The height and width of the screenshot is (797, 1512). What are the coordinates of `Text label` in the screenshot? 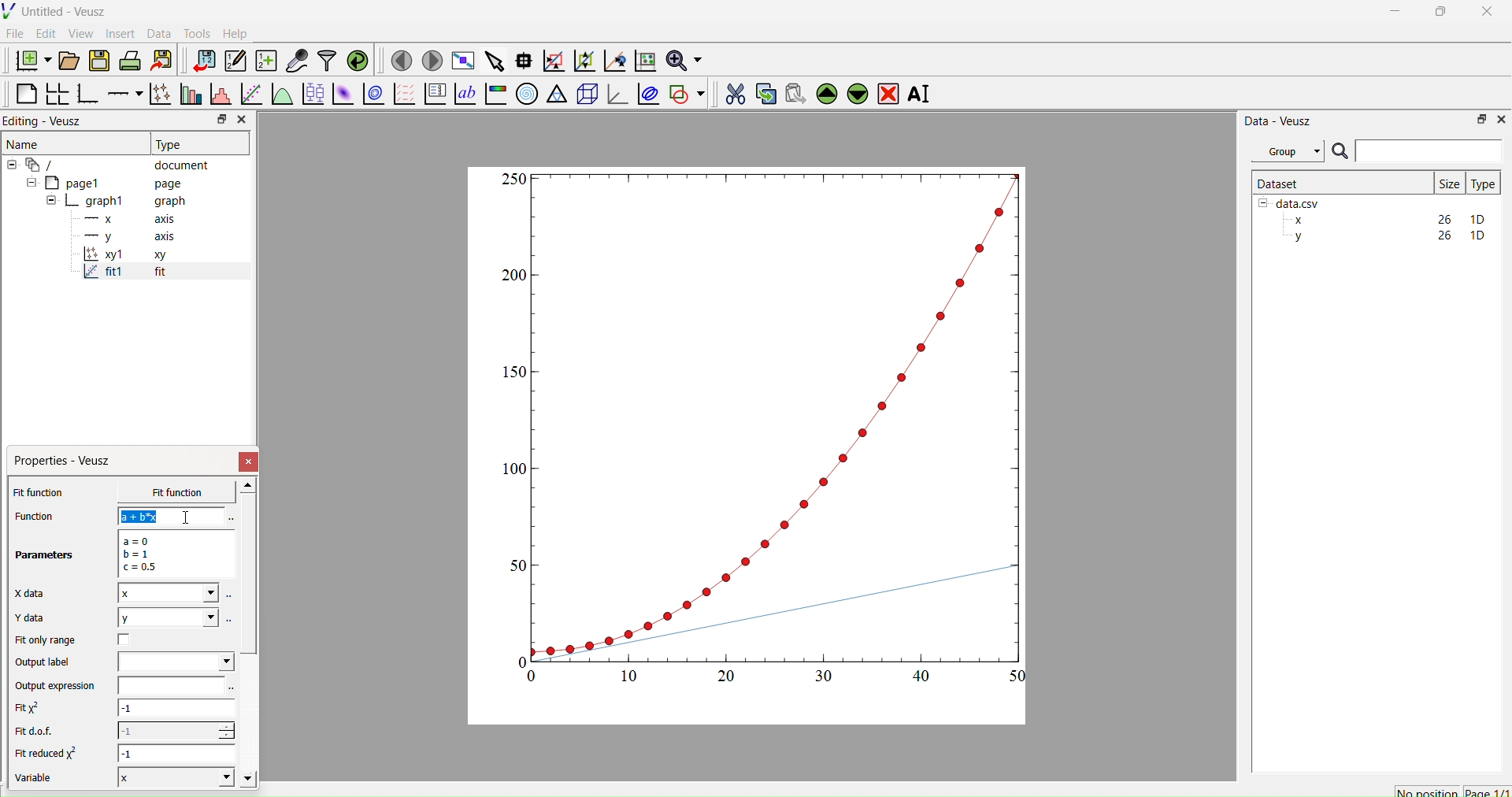 It's located at (464, 94).